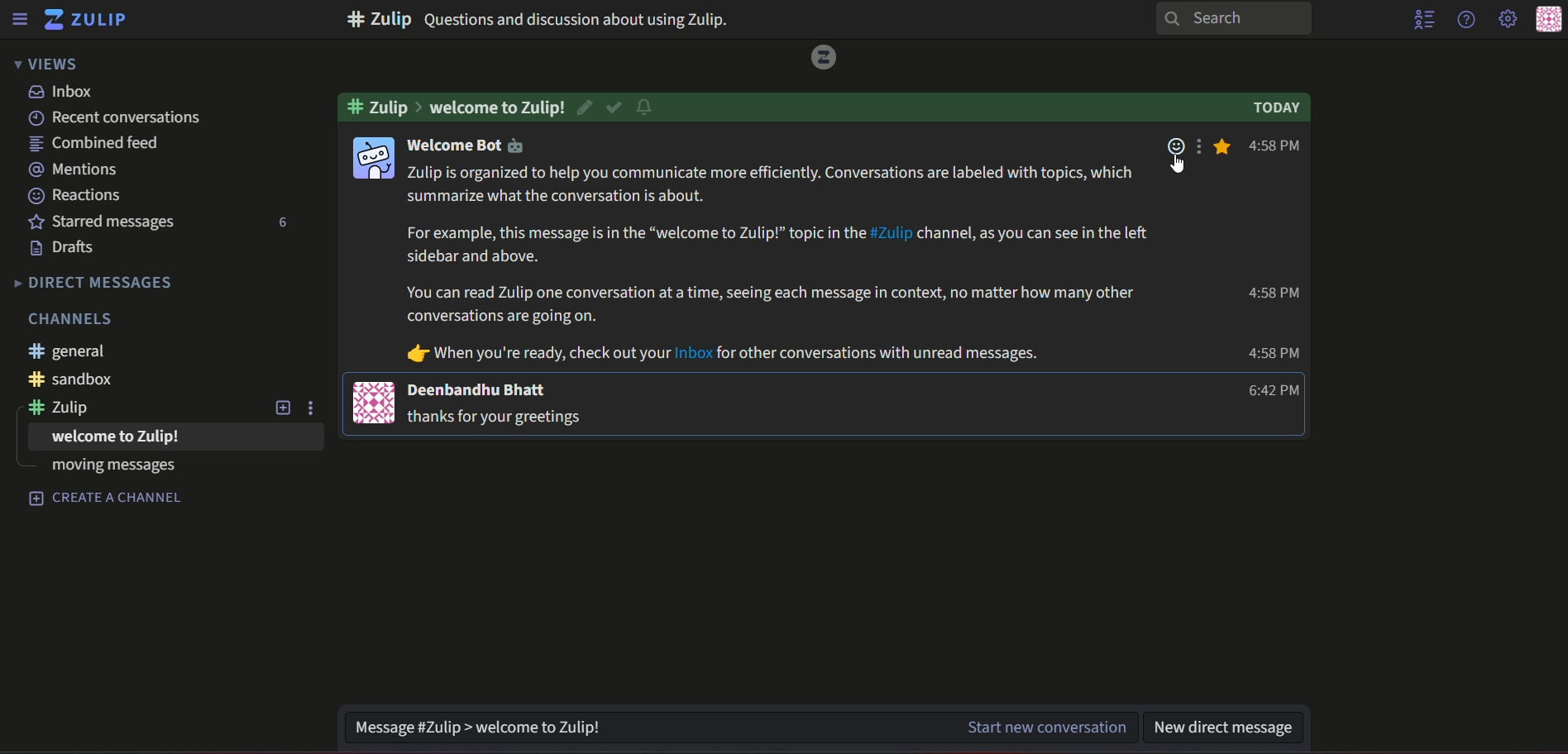  Describe the element at coordinates (280, 408) in the screenshot. I see `Add` at that location.